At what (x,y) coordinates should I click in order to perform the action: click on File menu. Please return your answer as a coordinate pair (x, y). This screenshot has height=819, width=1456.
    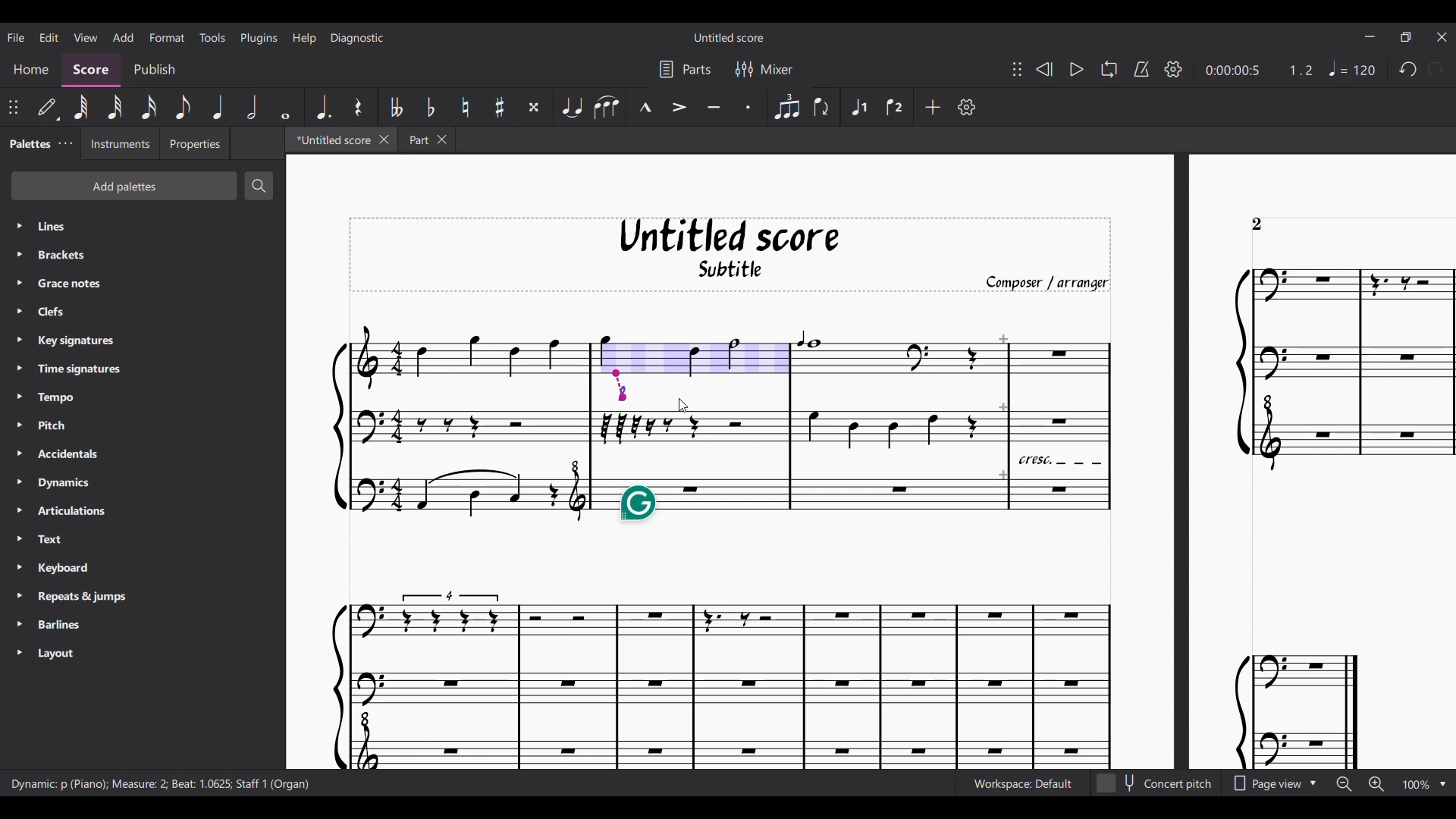
    Looking at the image, I should click on (16, 37).